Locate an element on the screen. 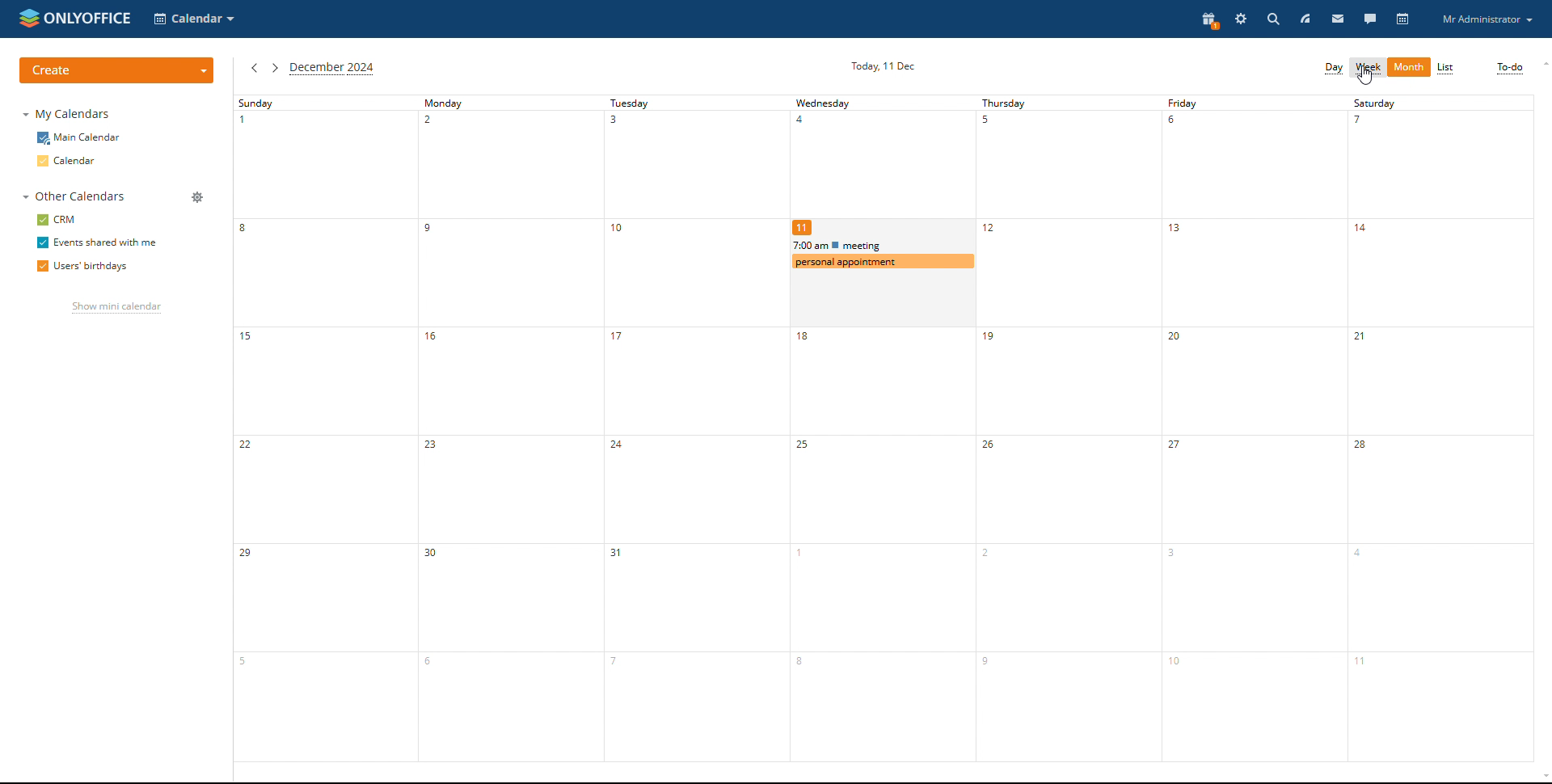 This screenshot has width=1552, height=784. cursor is located at coordinates (1365, 76).